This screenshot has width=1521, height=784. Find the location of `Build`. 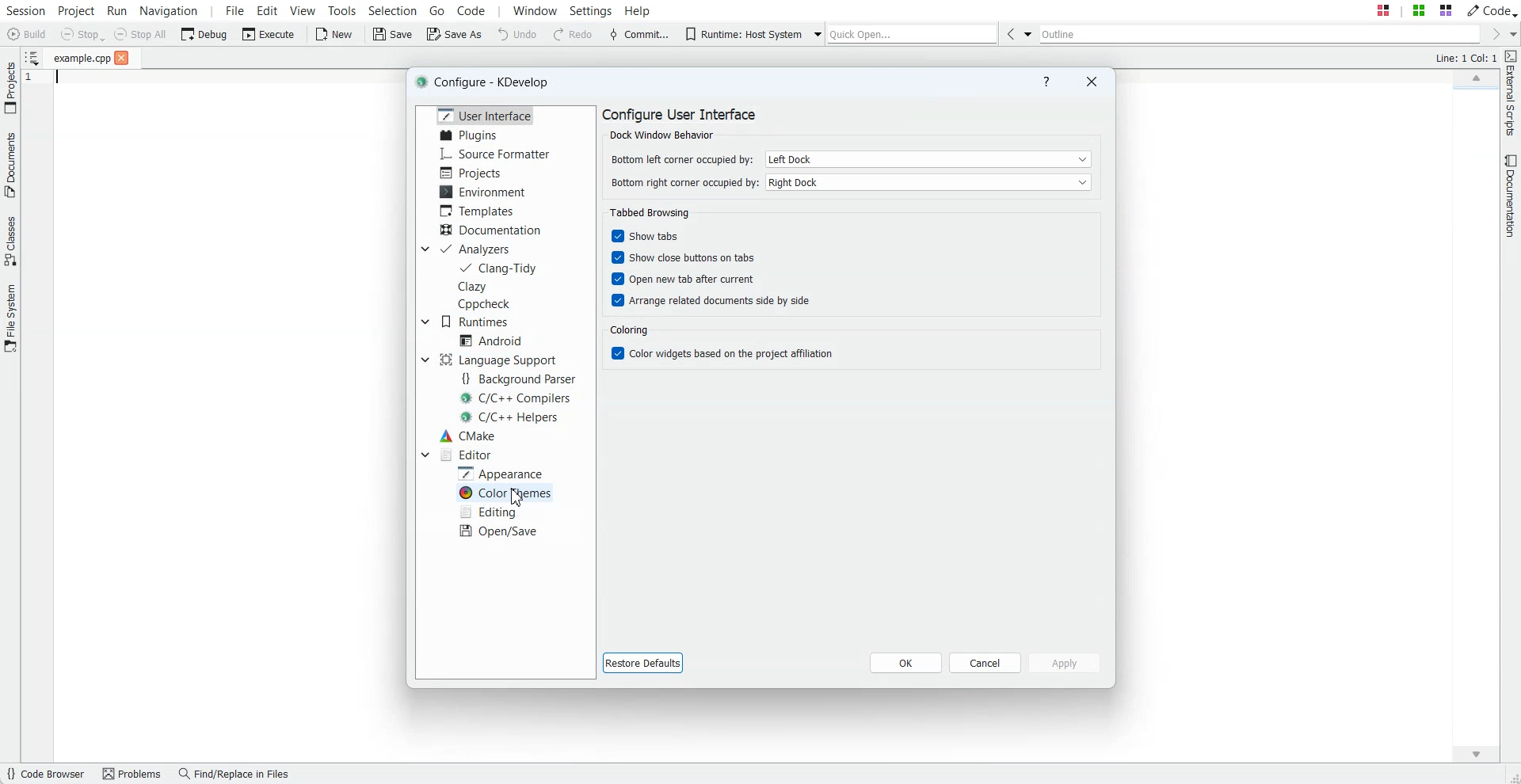

Build is located at coordinates (25, 34).